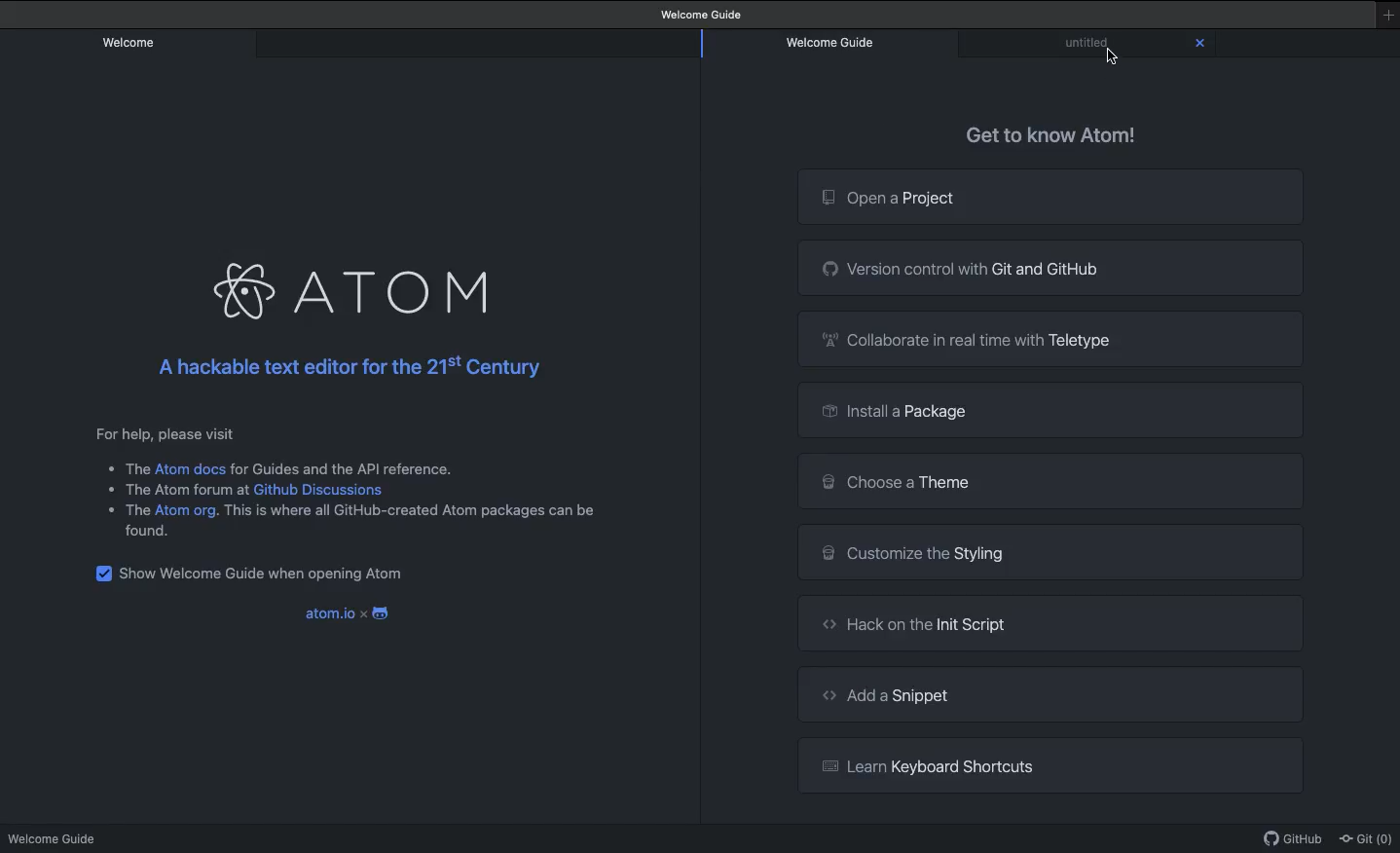 Image resolution: width=1400 pixels, height=853 pixels. I want to click on Welcome guide, so click(704, 15).